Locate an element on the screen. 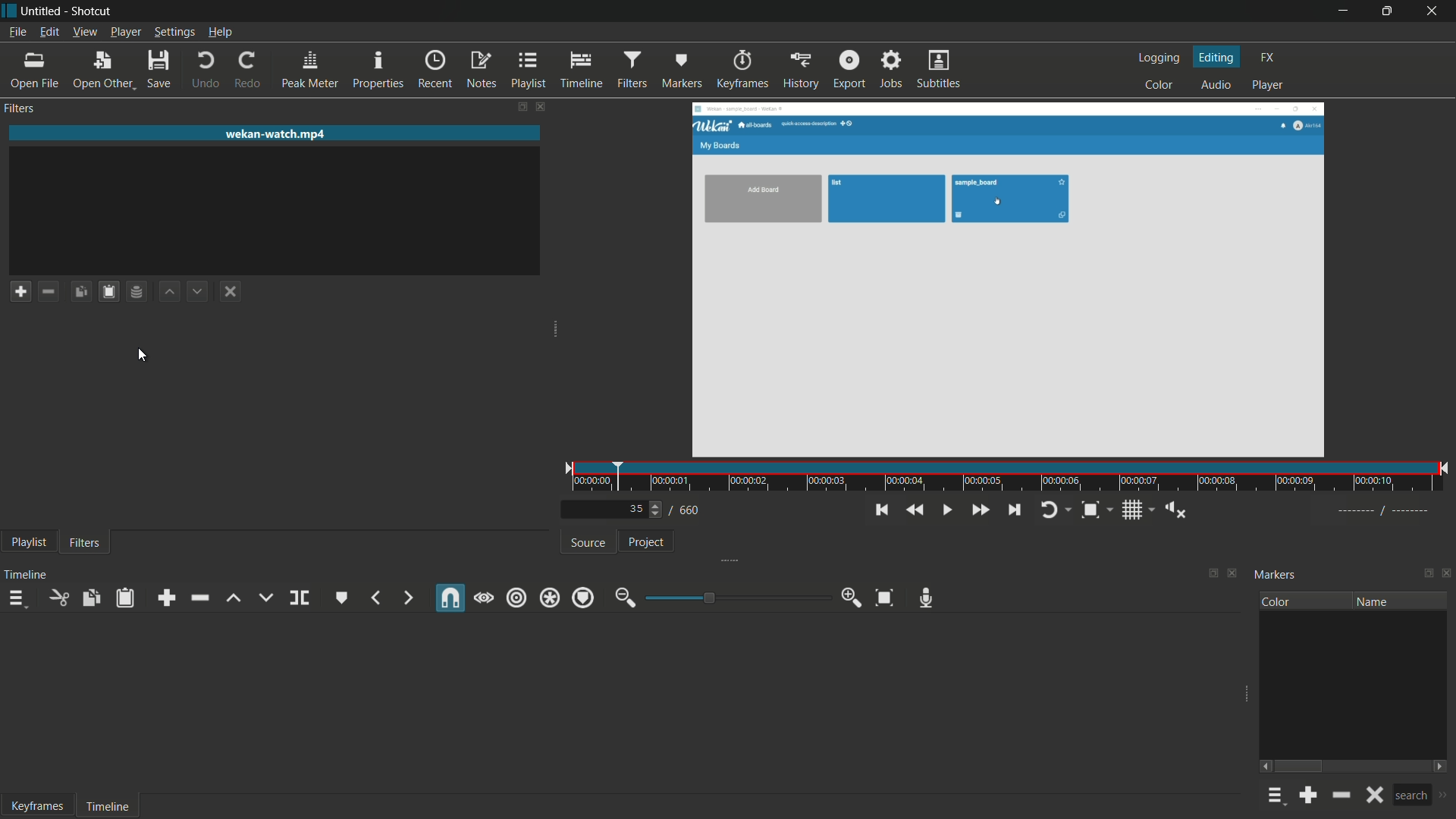  app name is located at coordinates (93, 11).